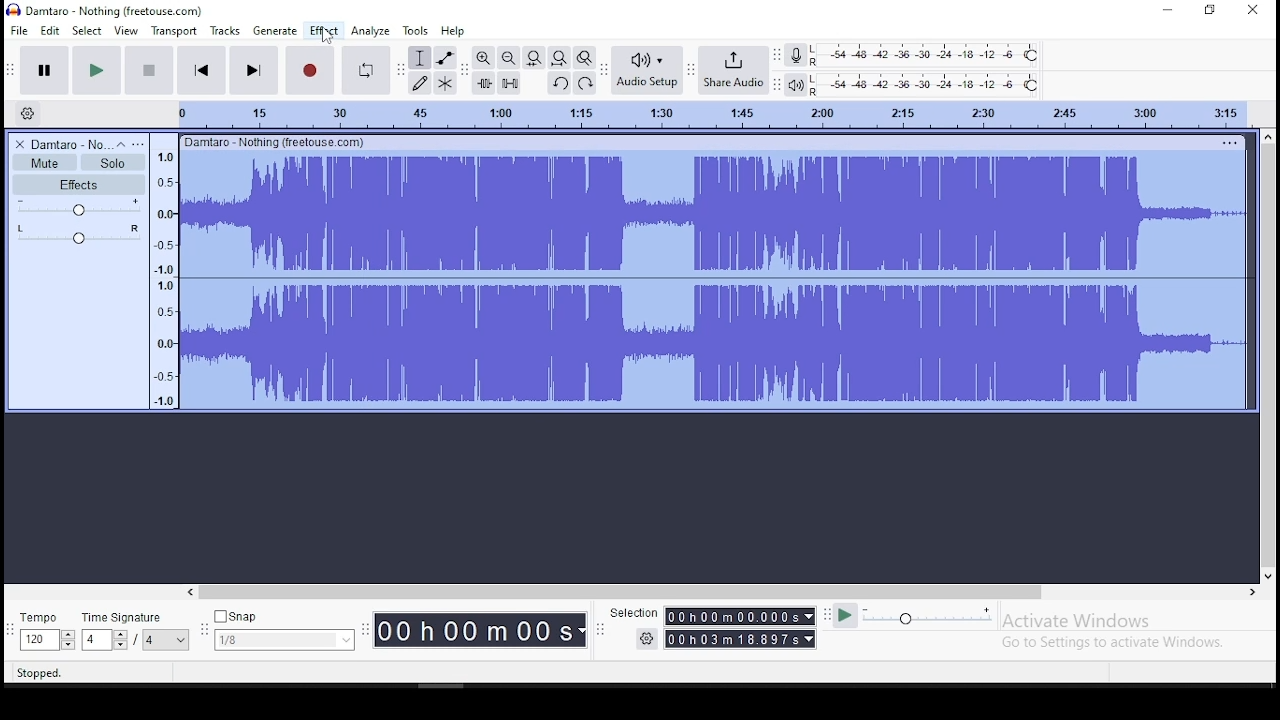 The height and width of the screenshot is (720, 1280). Describe the element at coordinates (697, 114) in the screenshot. I see `Audio Timeline` at that location.